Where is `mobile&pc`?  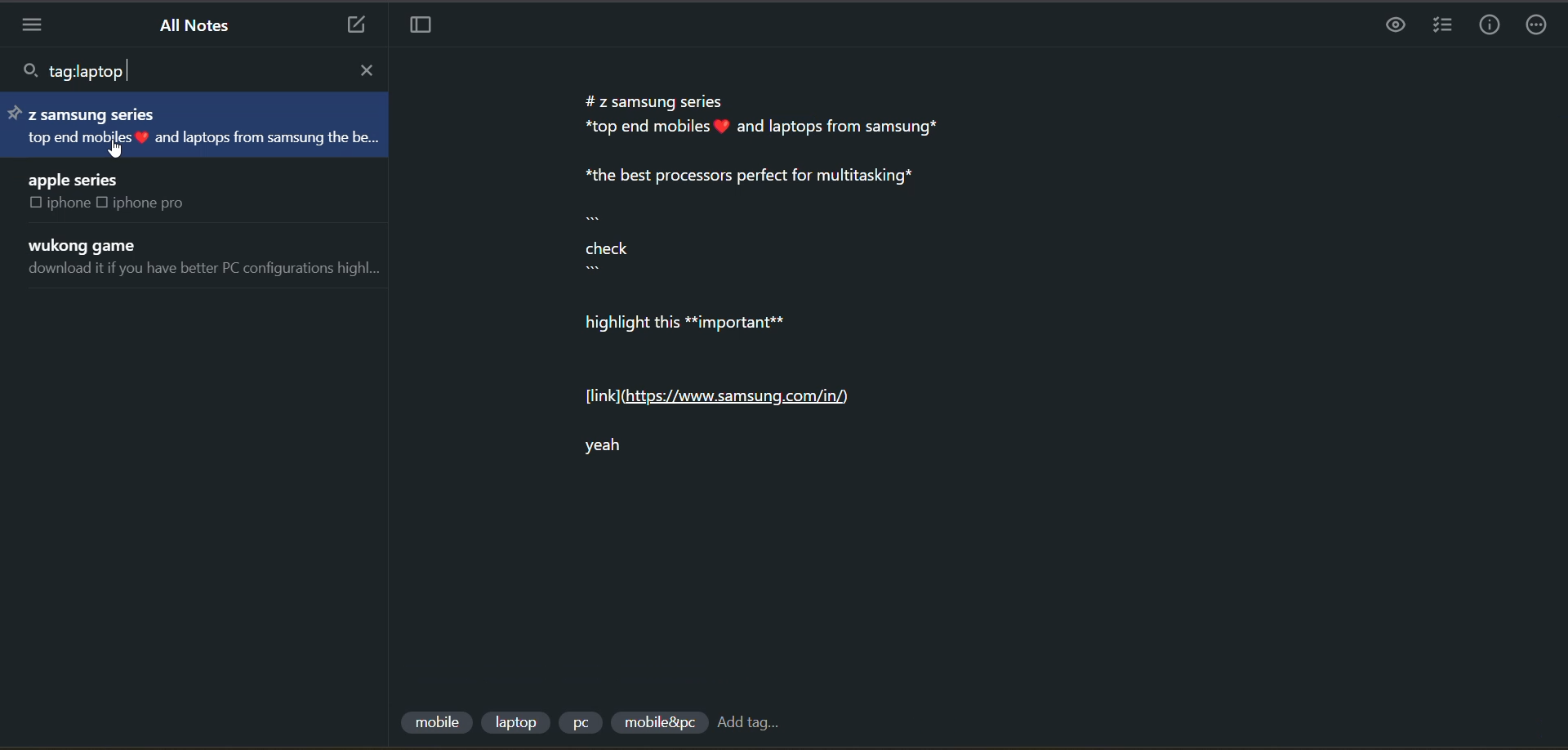
mobile&pc is located at coordinates (656, 723).